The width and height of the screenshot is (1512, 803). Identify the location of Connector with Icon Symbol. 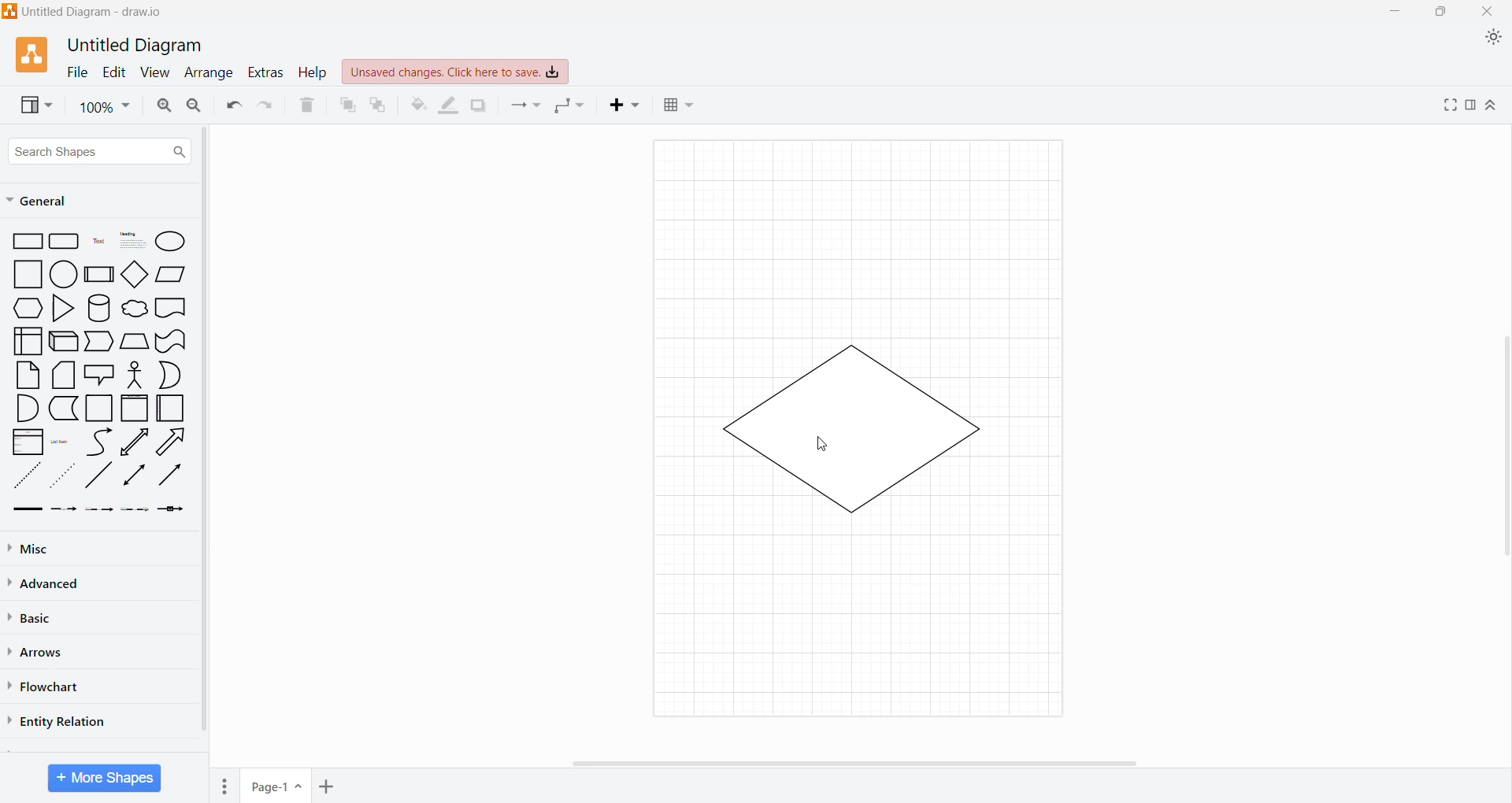
(175, 510).